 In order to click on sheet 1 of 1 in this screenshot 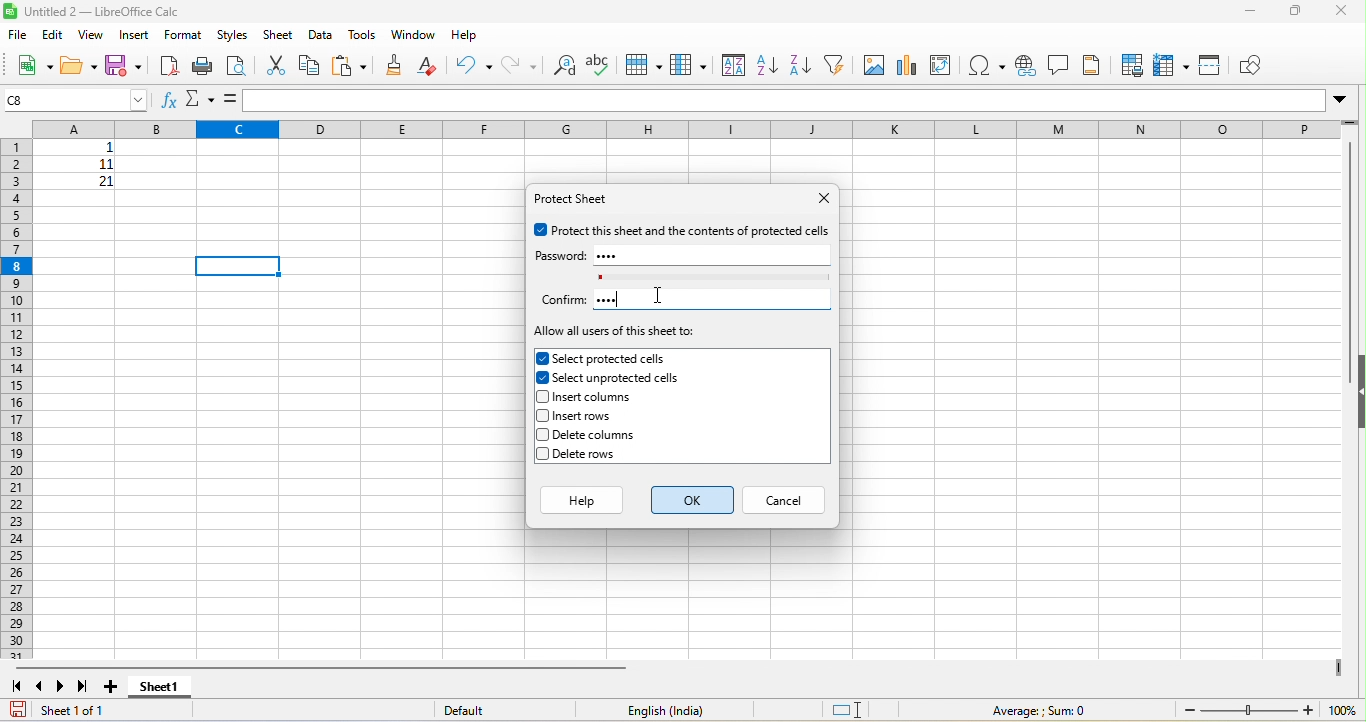, I will do `click(78, 711)`.